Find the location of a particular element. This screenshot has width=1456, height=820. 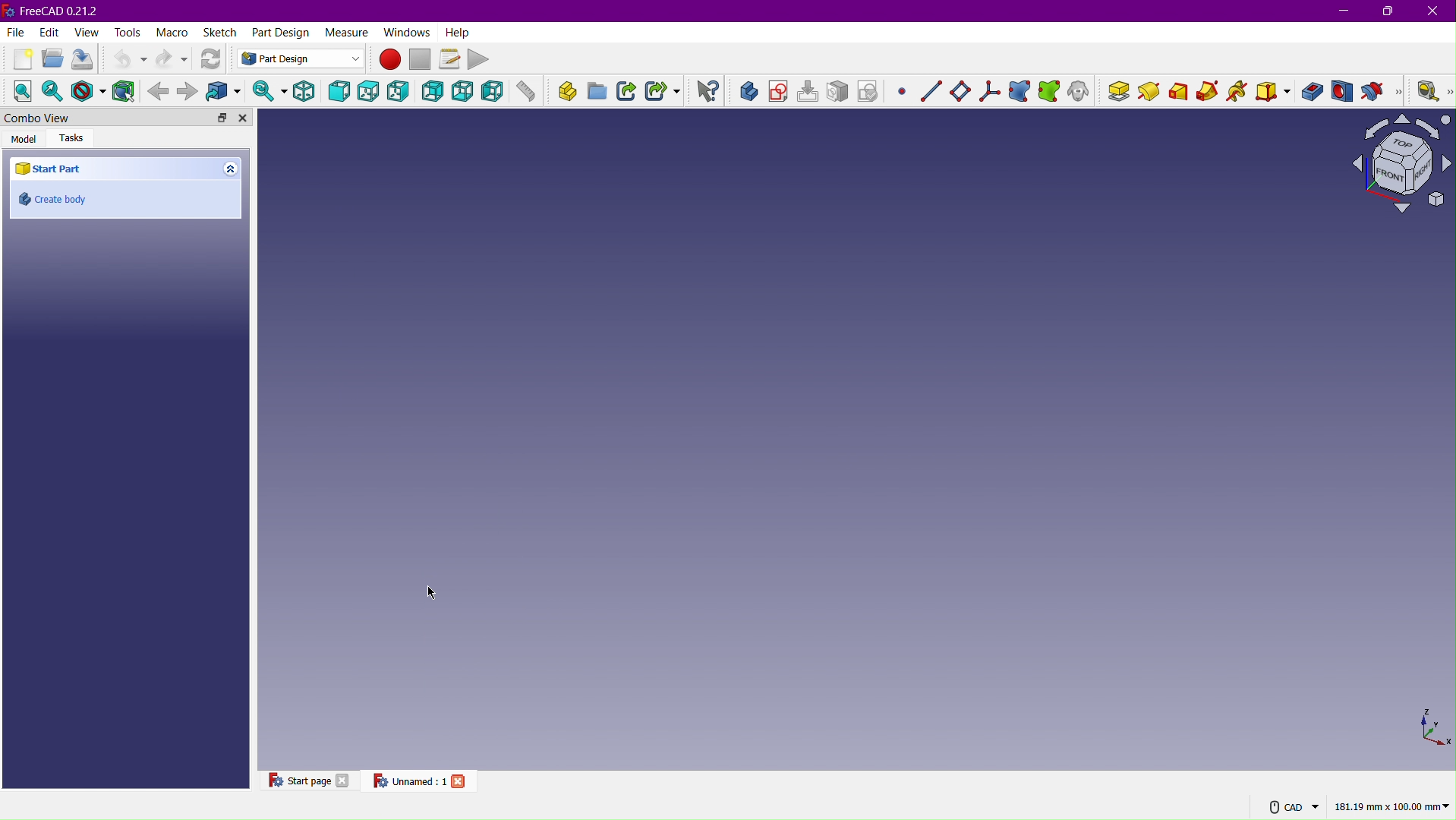

Create a shape binder is located at coordinates (1020, 90).